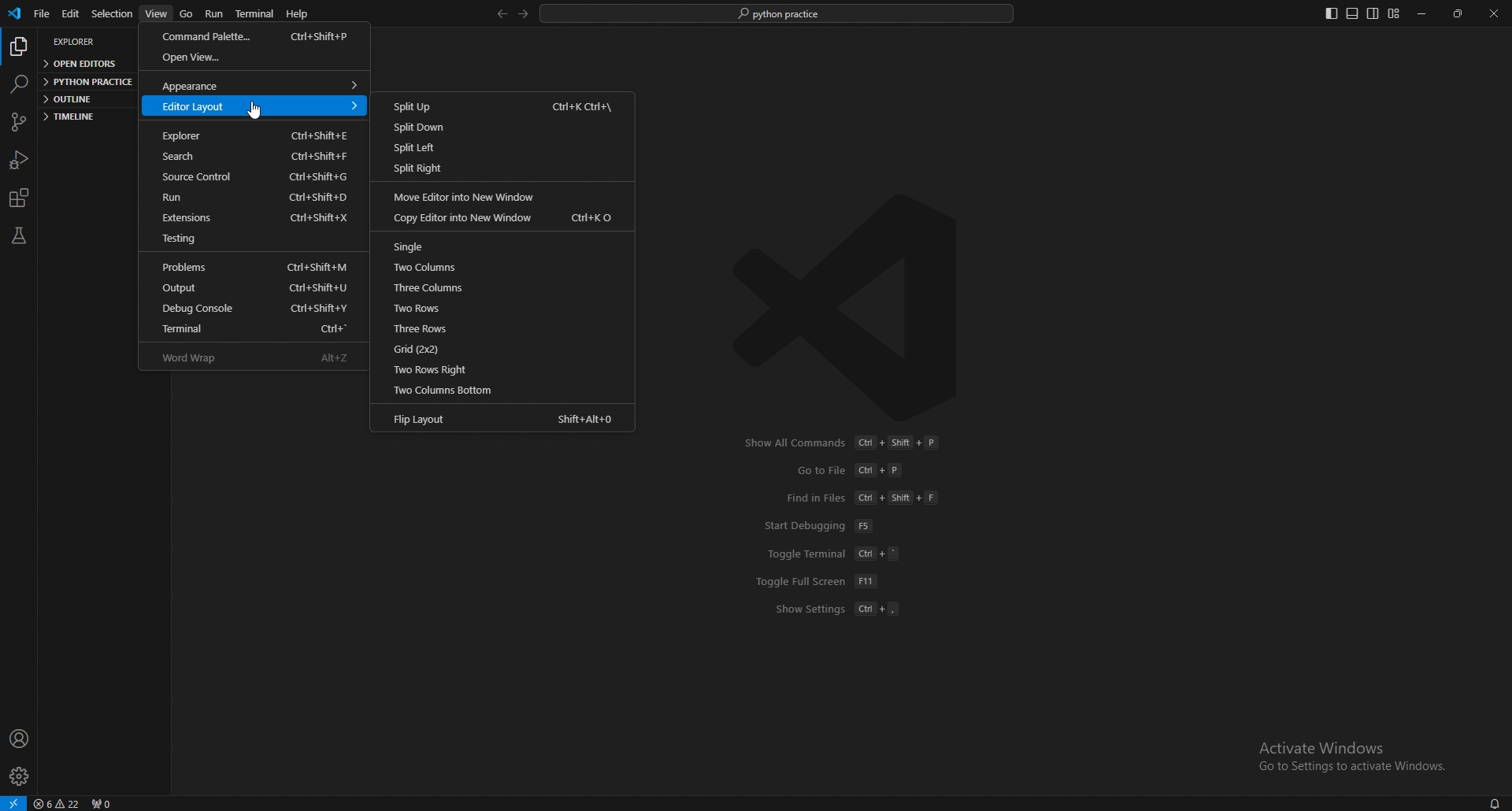 The width and height of the screenshot is (1512, 811). What do you see at coordinates (817, 581) in the screenshot?
I see `toggle full screen f11` at bounding box center [817, 581].